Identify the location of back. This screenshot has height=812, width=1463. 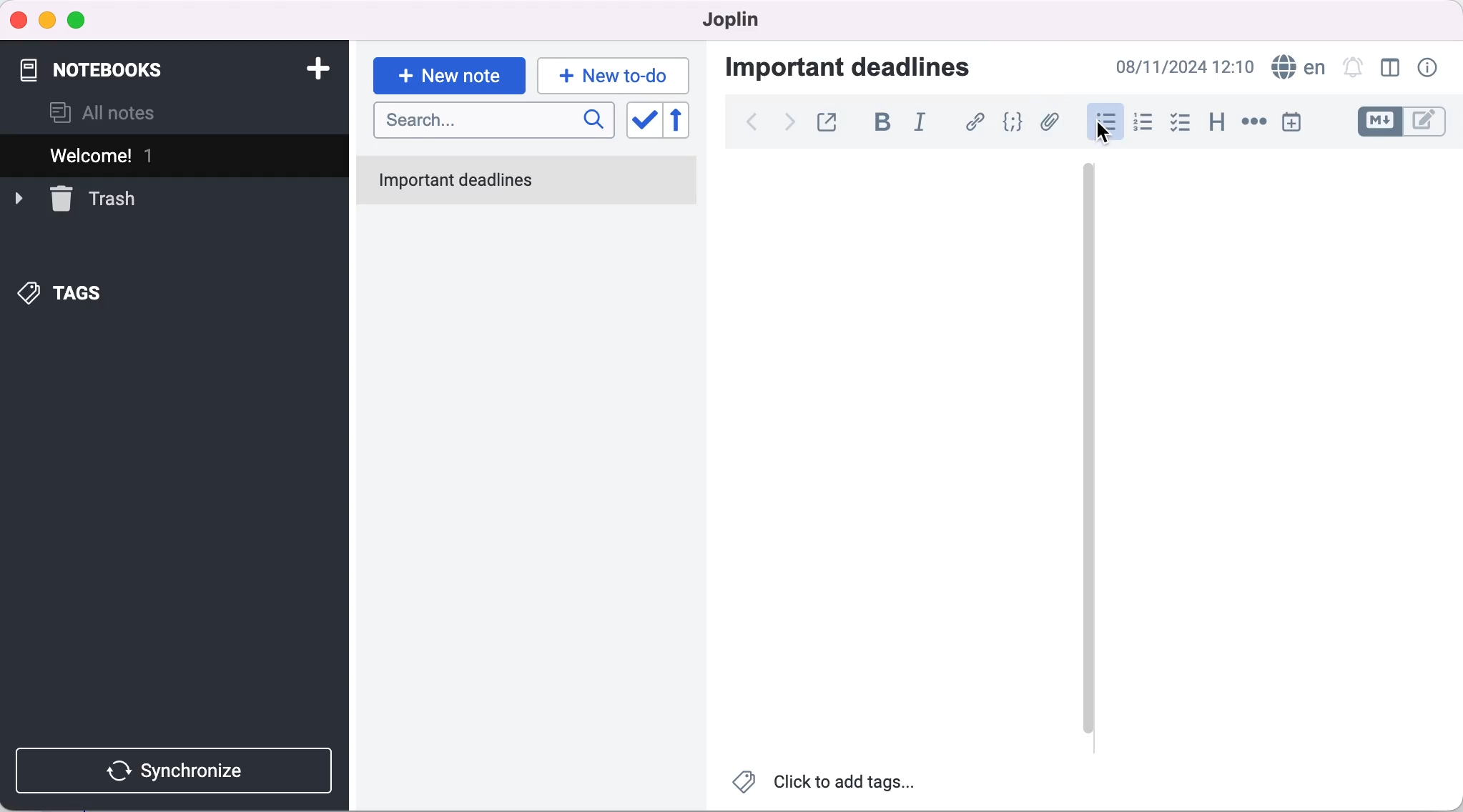
(754, 124).